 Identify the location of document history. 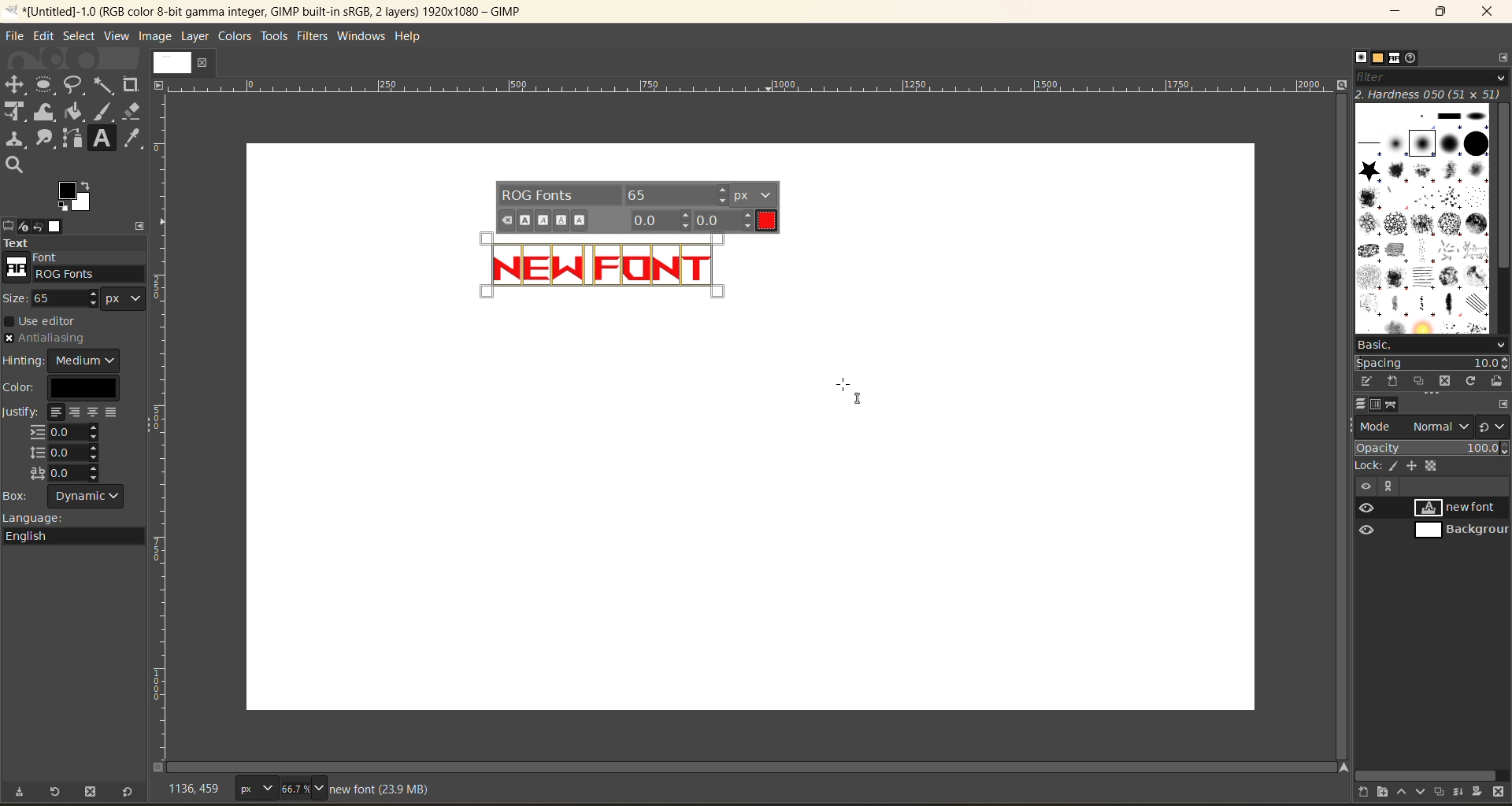
(1412, 60).